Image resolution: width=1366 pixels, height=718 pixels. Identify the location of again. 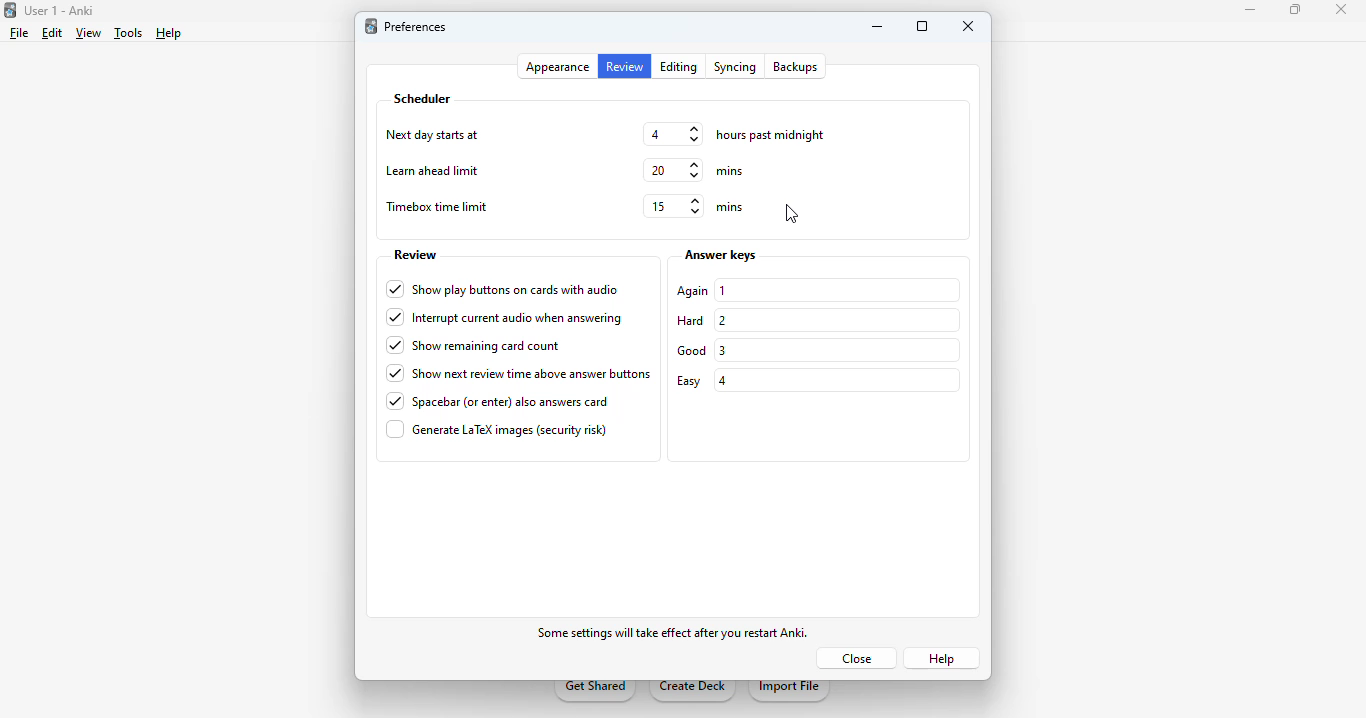
(693, 291).